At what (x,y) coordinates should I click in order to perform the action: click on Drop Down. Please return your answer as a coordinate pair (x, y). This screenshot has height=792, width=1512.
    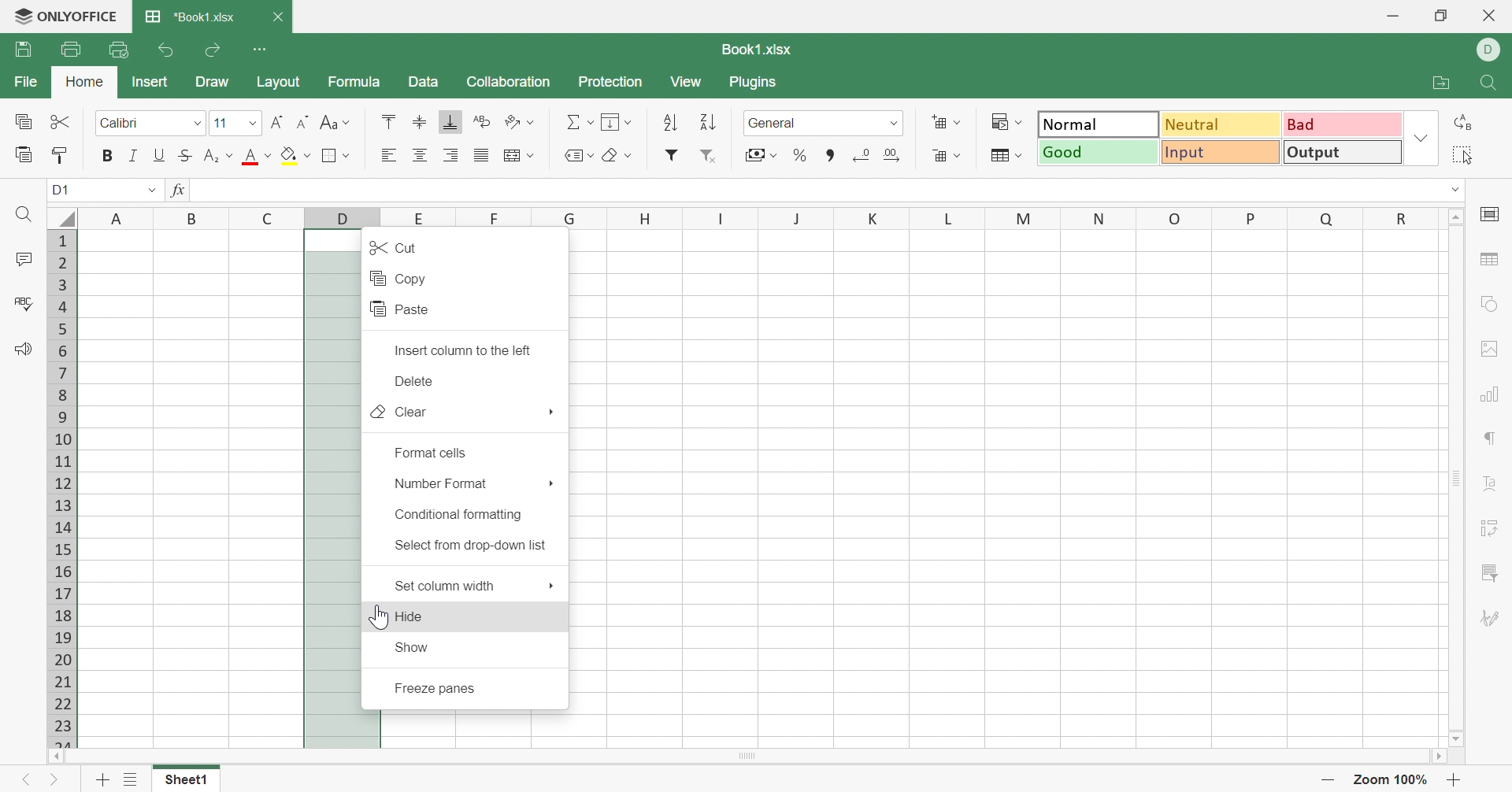
    Looking at the image, I should click on (533, 124).